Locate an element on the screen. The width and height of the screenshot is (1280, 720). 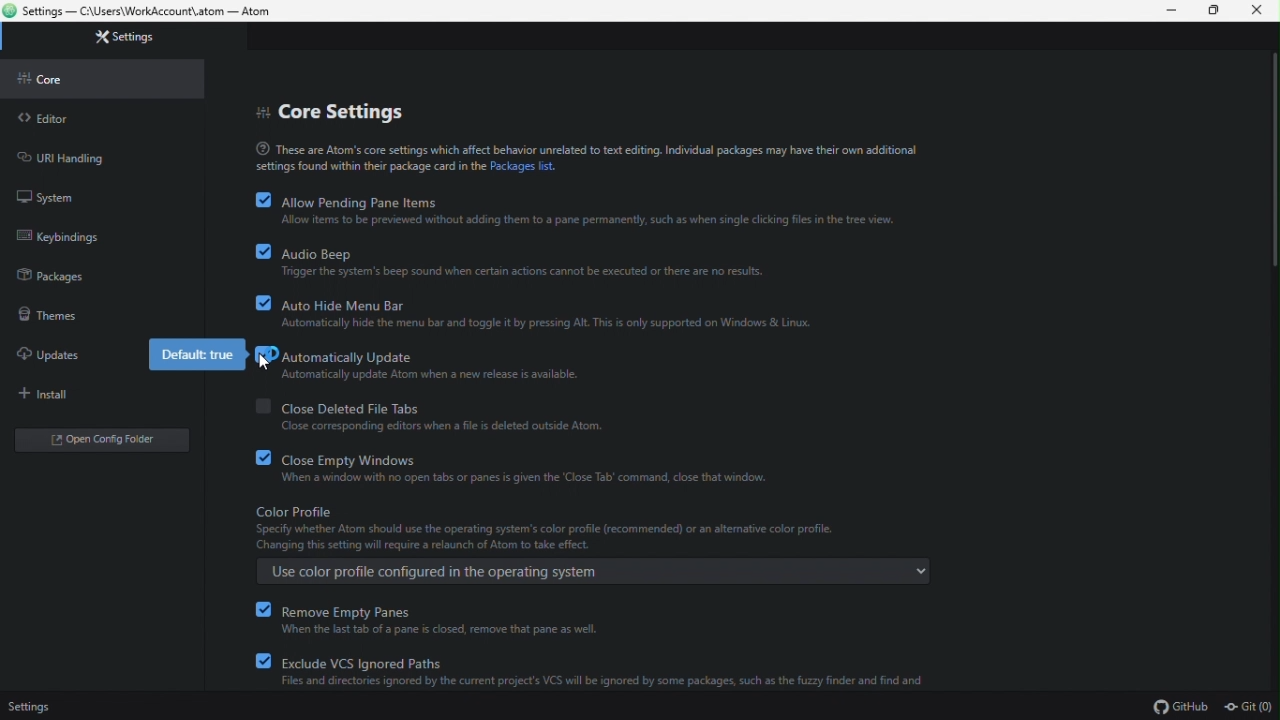
packages is located at coordinates (52, 277).